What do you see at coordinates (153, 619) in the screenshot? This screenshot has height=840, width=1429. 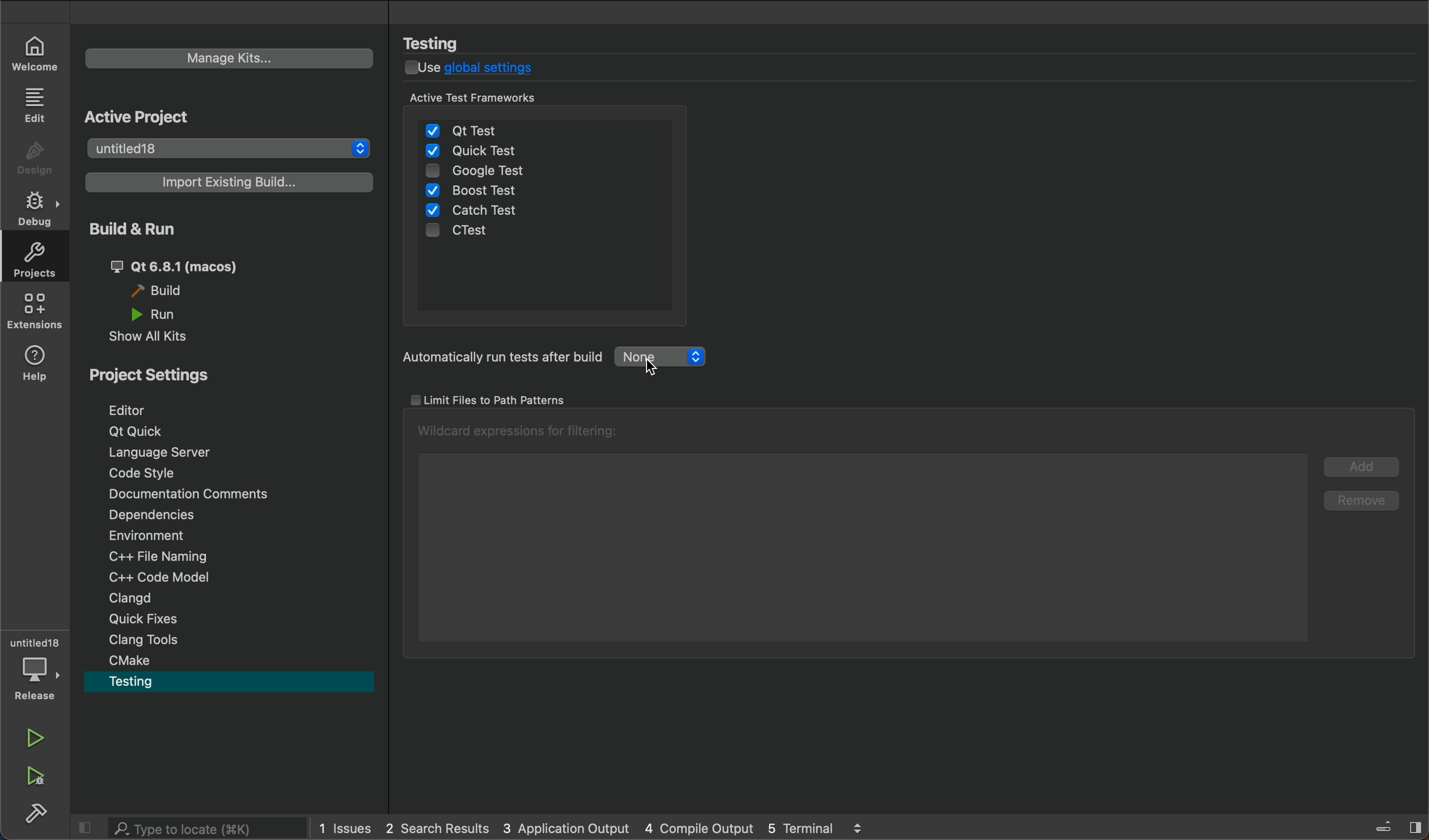 I see `quick fixes` at bounding box center [153, 619].